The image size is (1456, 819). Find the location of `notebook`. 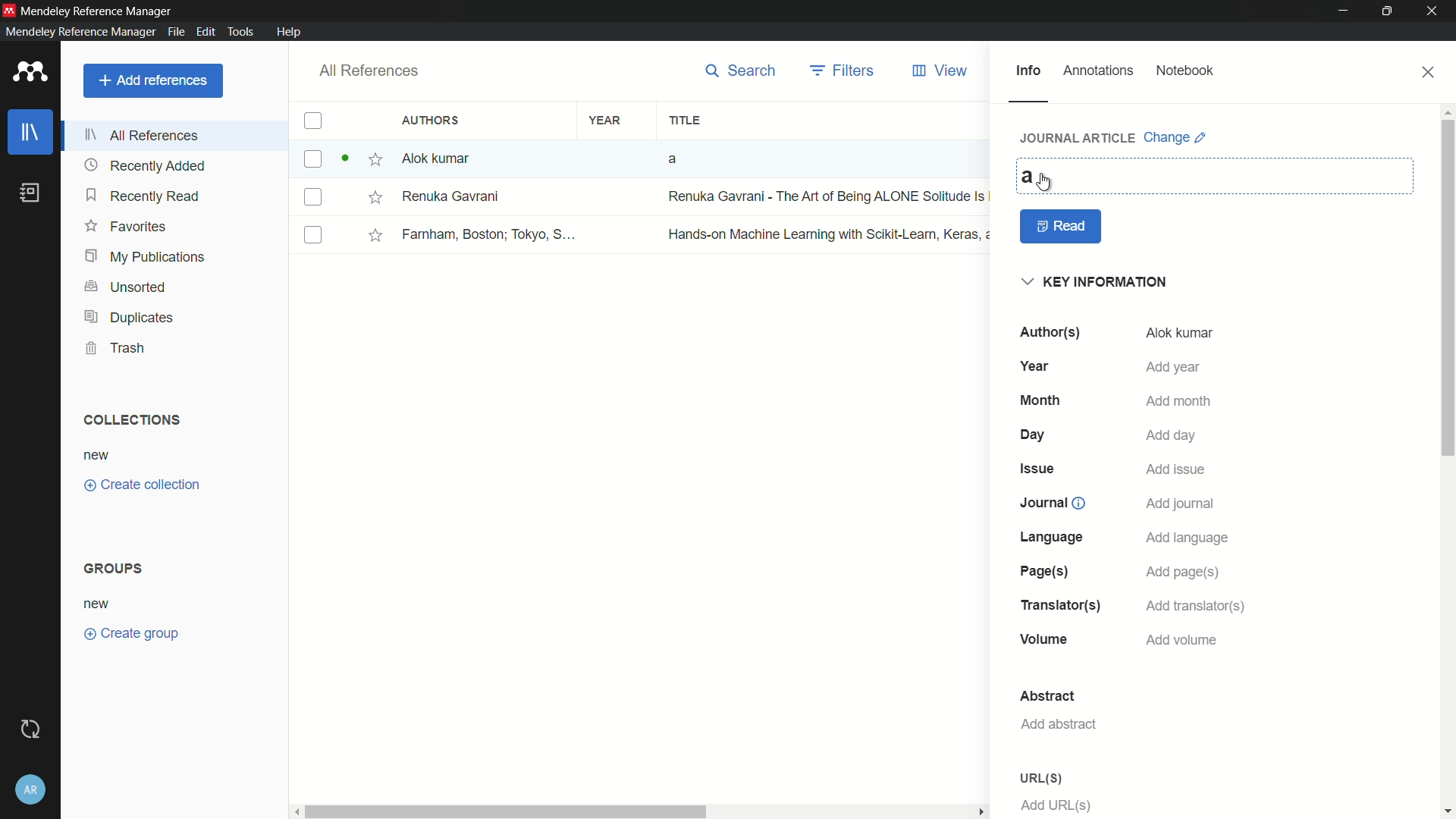

notebook is located at coordinates (1185, 71).